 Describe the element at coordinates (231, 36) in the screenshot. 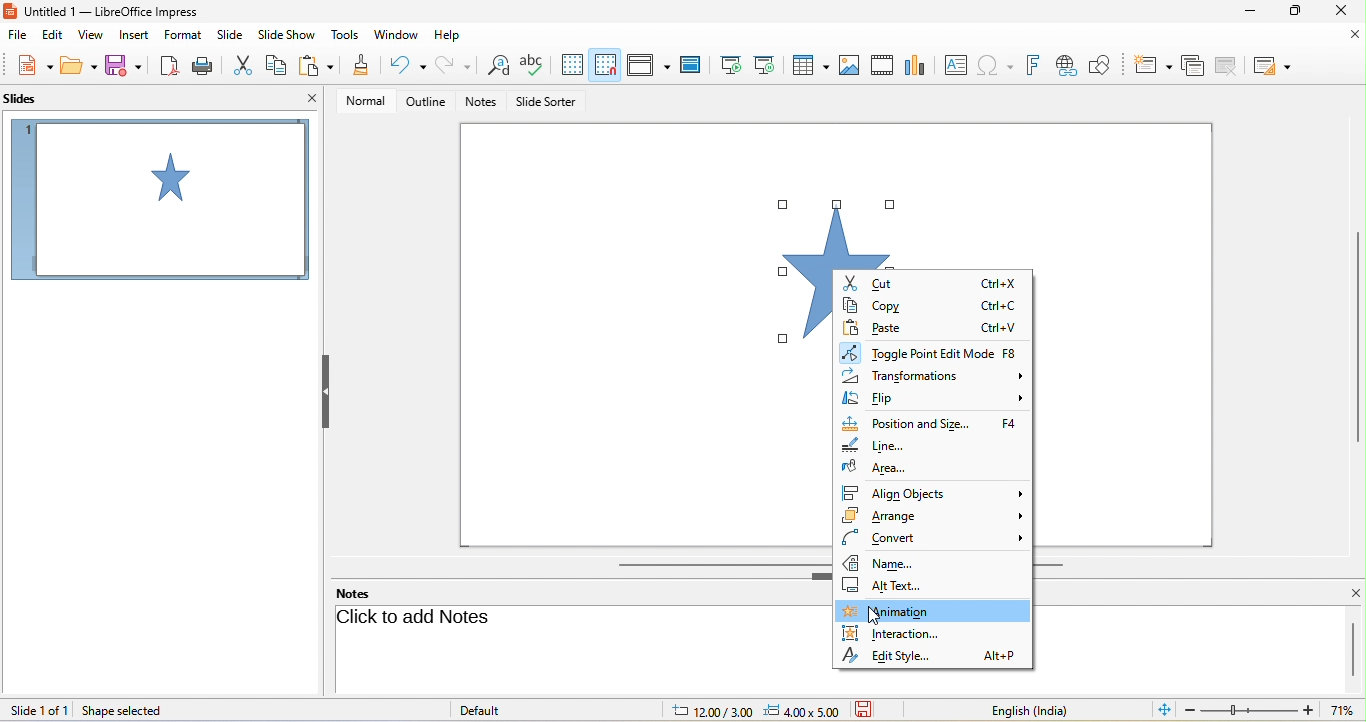

I see `slide` at that location.